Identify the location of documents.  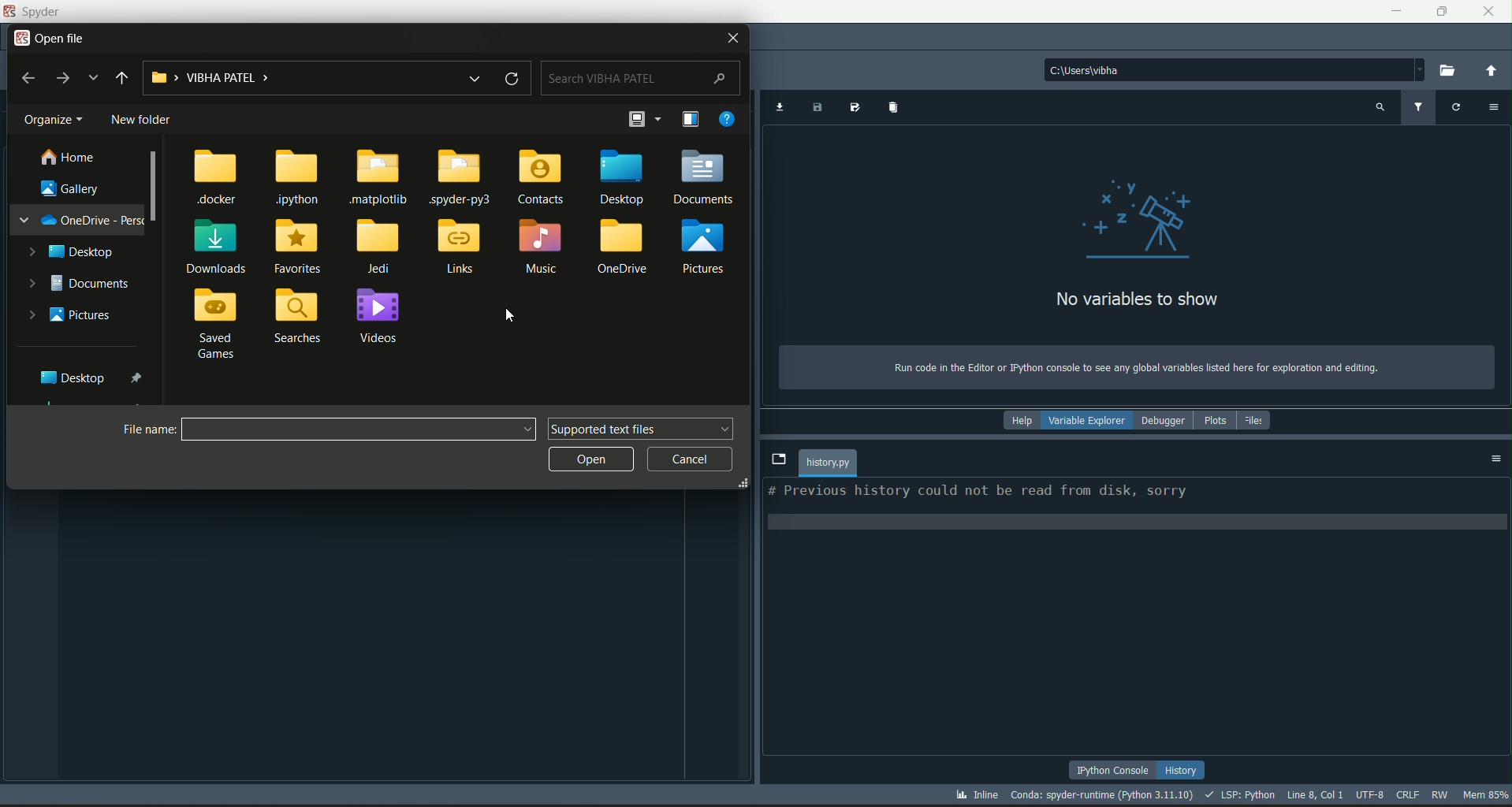
(83, 284).